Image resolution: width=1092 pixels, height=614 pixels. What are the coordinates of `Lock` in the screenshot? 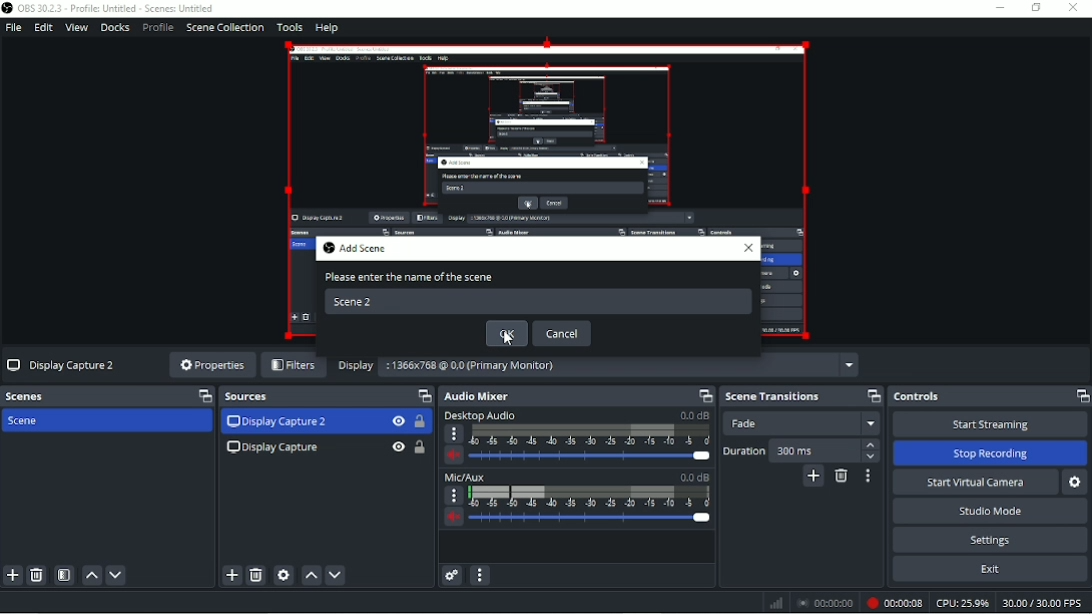 It's located at (420, 447).